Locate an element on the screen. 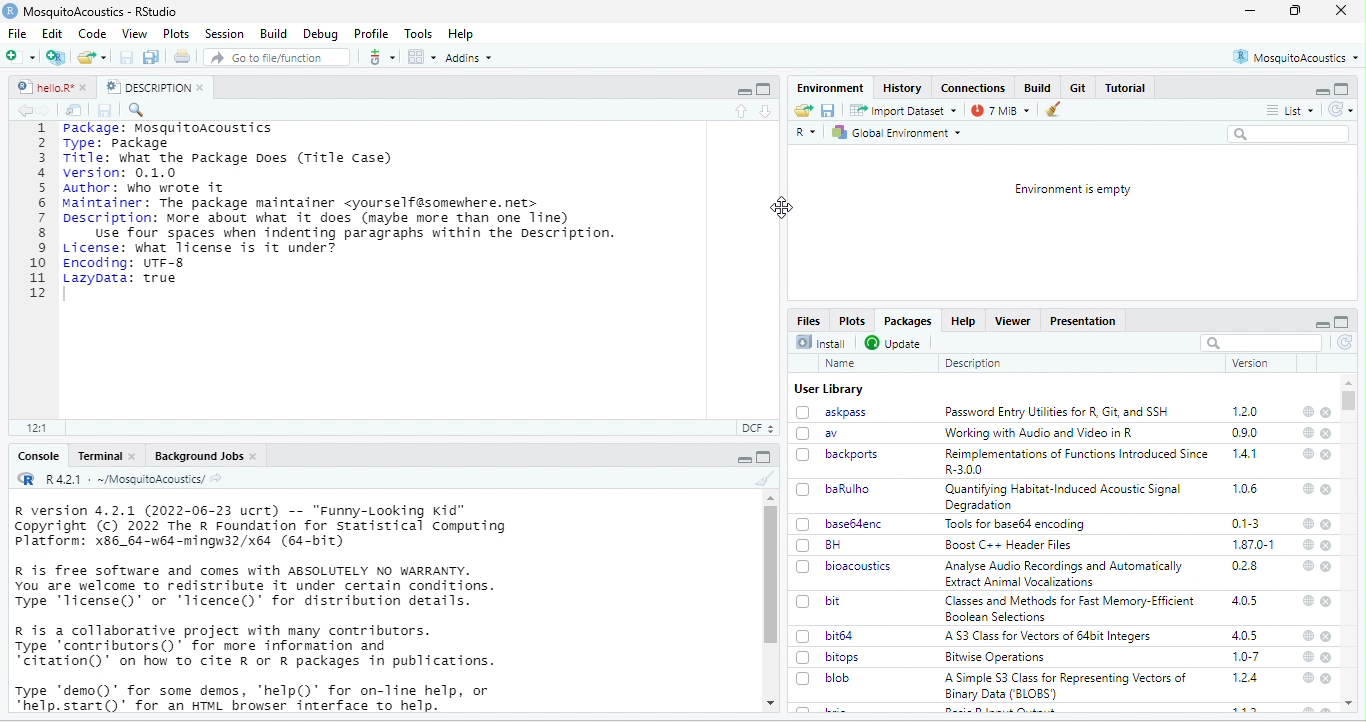  Connections is located at coordinates (973, 88).